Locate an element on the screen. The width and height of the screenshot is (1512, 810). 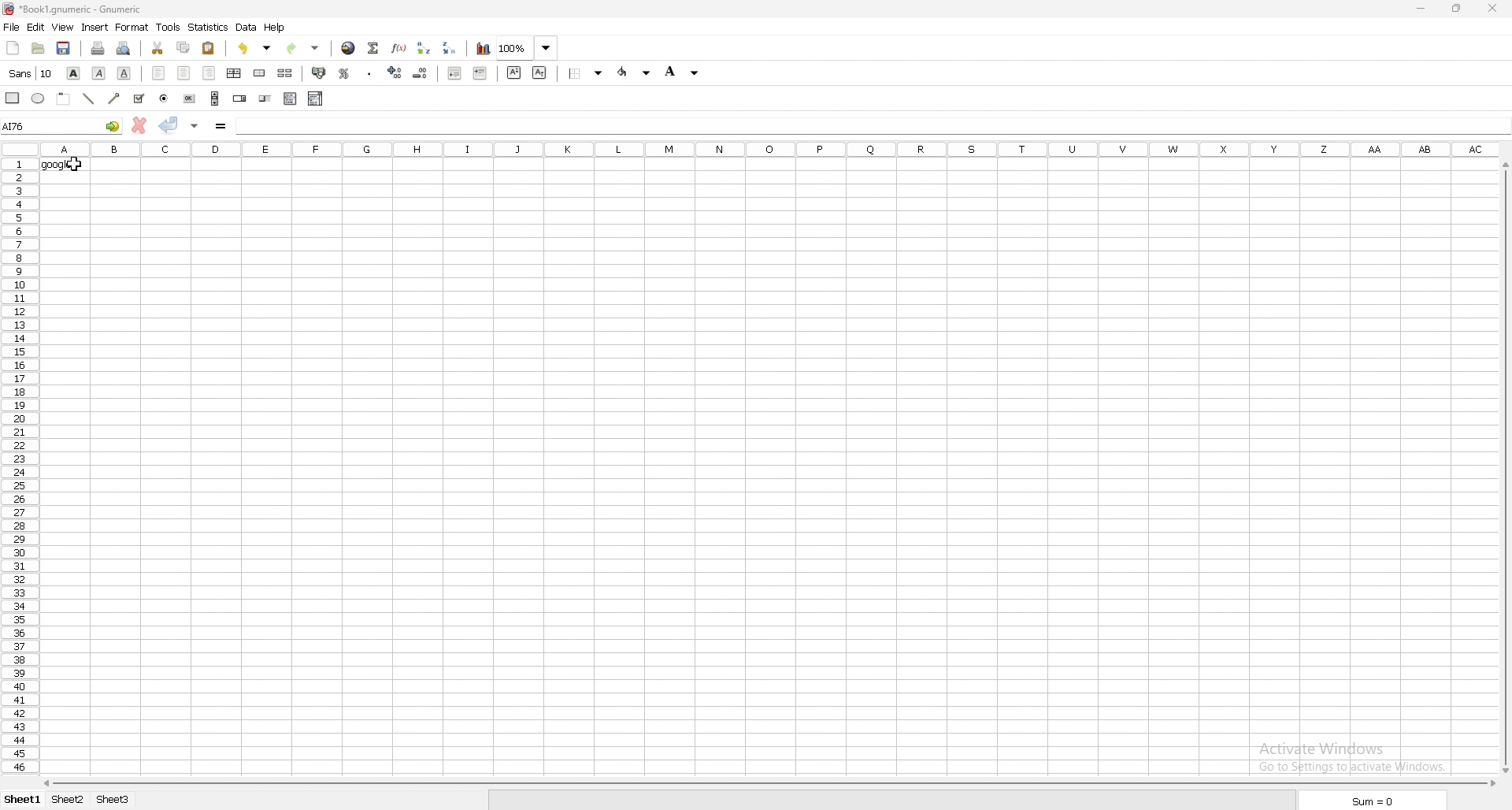
scroll bar is located at coordinates (1505, 467).